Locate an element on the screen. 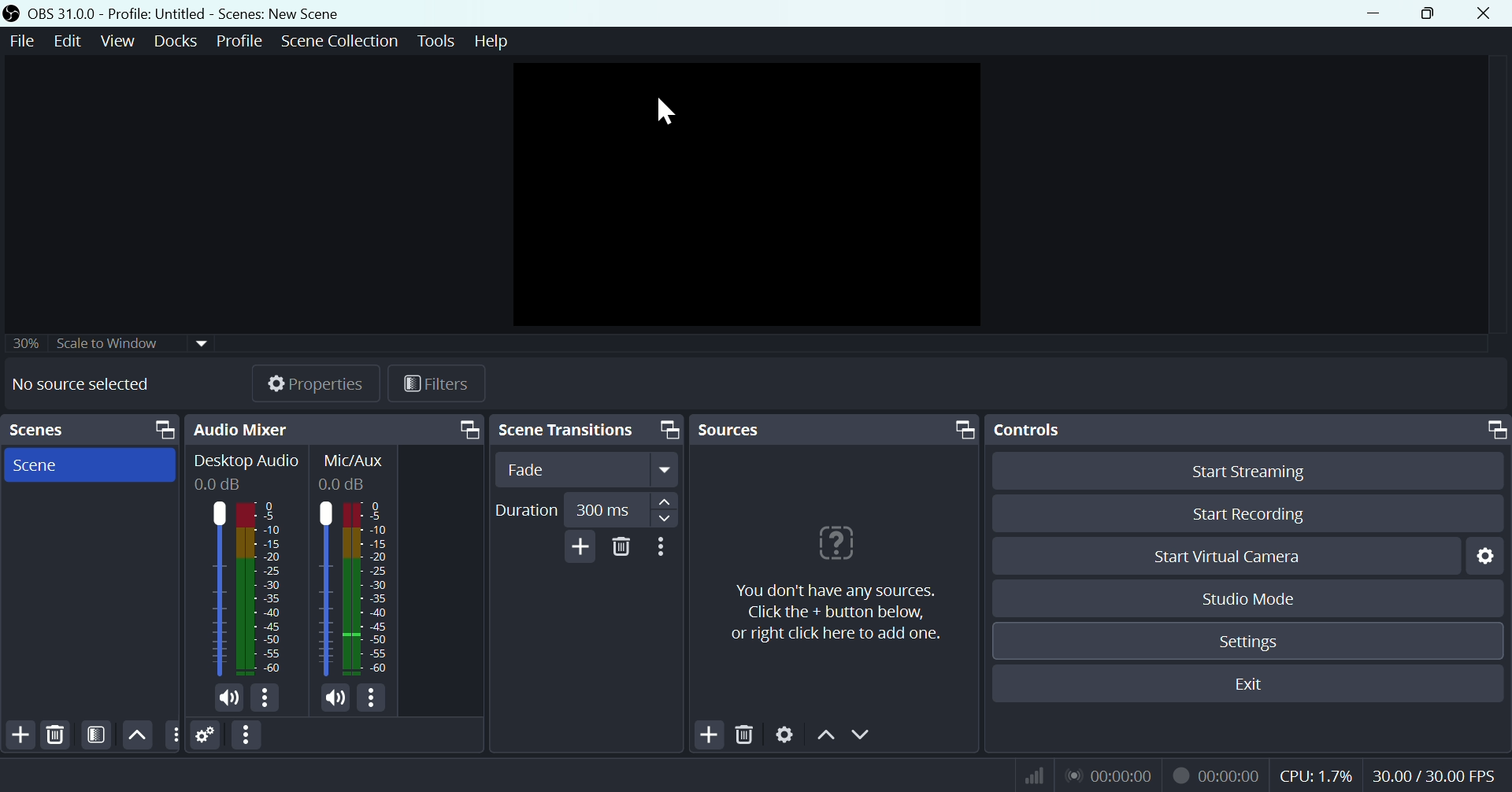  Filters is located at coordinates (439, 384).